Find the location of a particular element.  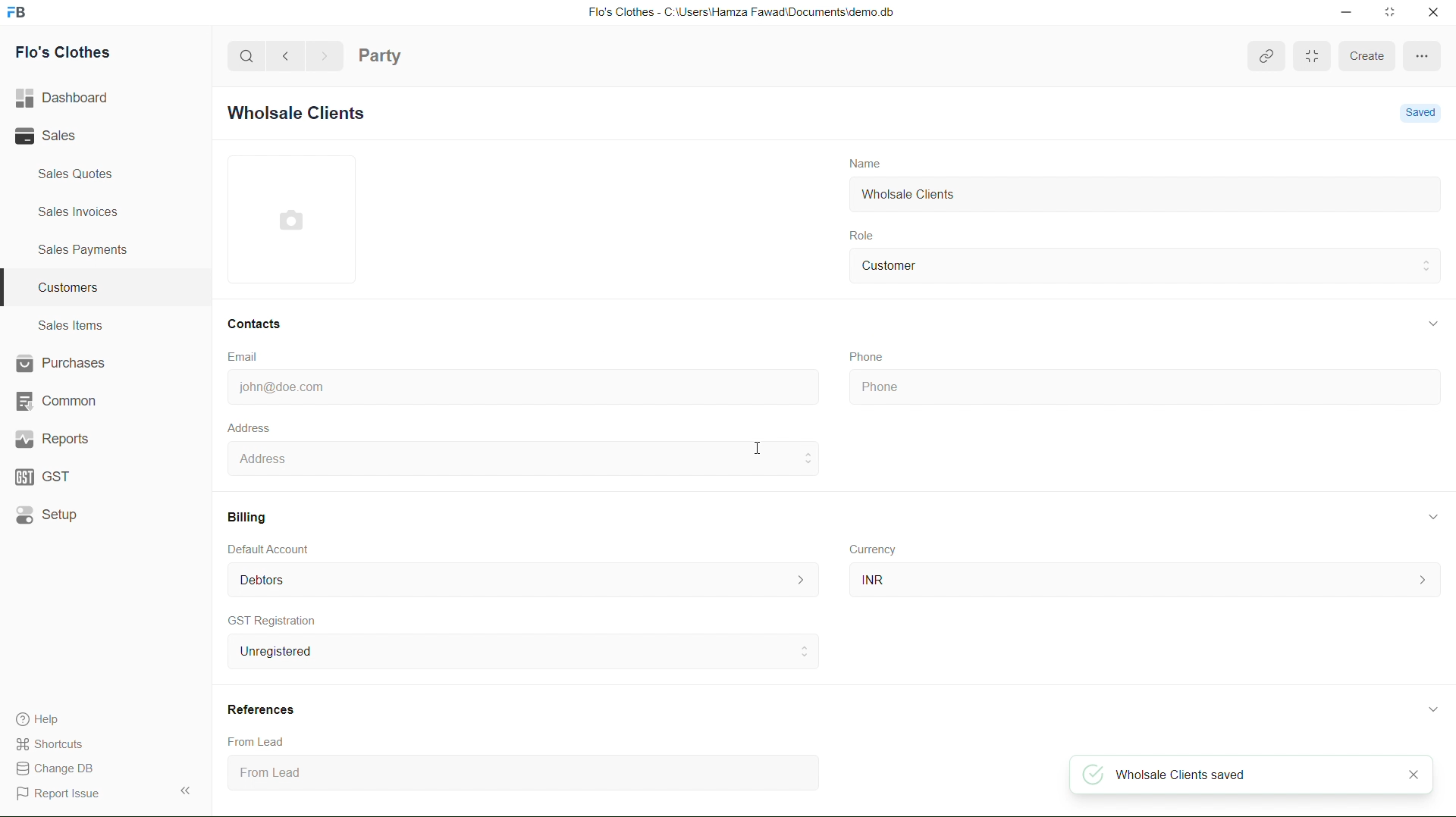

Setup is located at coordinates (51, 516).